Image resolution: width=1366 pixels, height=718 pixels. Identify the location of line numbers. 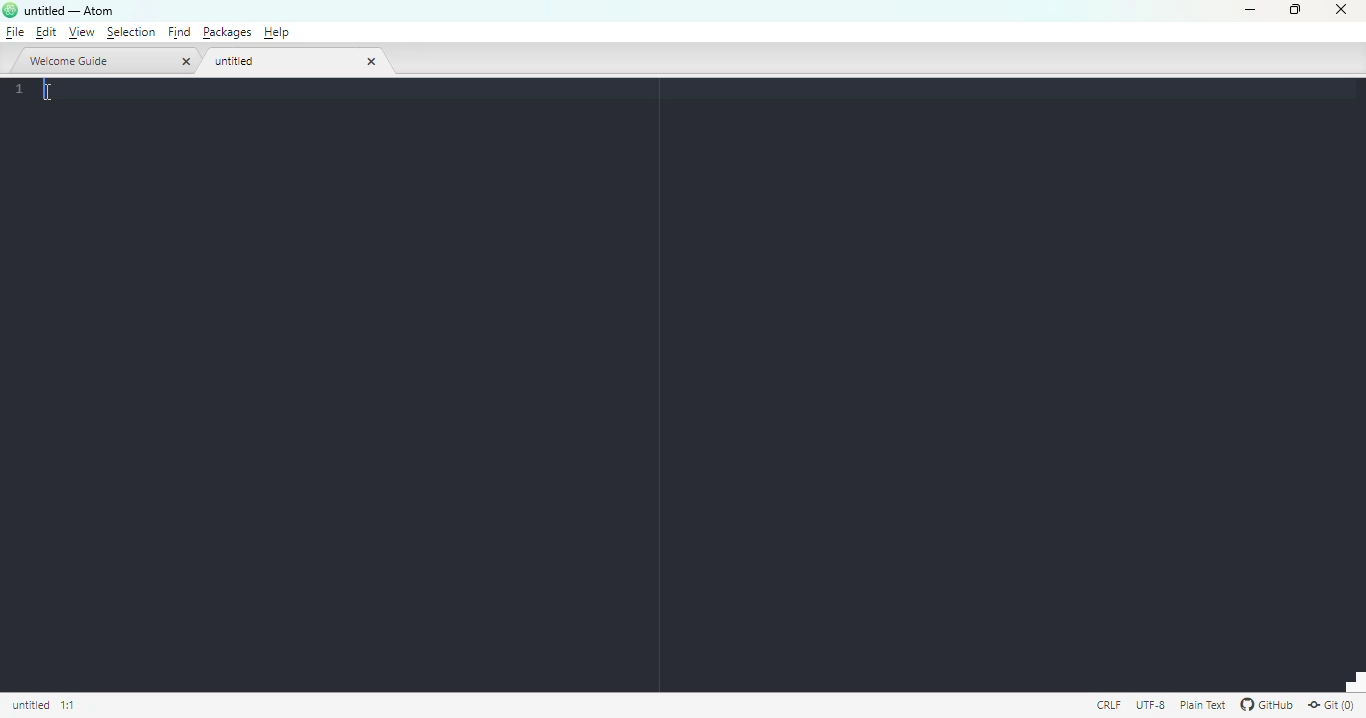
(18, 89).